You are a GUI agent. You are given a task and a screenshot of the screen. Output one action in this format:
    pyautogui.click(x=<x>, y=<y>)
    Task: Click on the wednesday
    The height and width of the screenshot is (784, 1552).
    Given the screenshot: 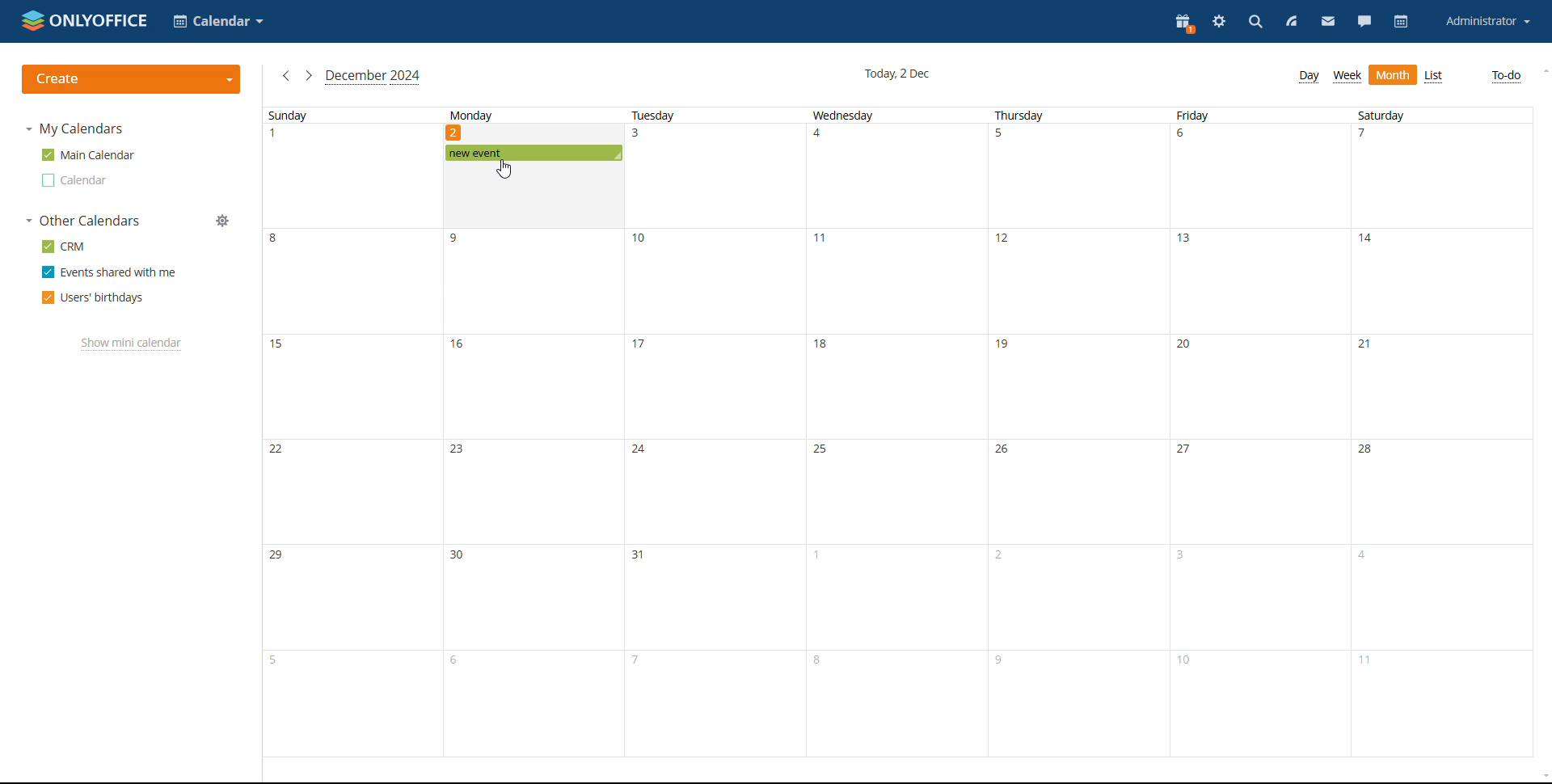 What is the action you would take?
    pyautogui.click(x=899, y=431)
    